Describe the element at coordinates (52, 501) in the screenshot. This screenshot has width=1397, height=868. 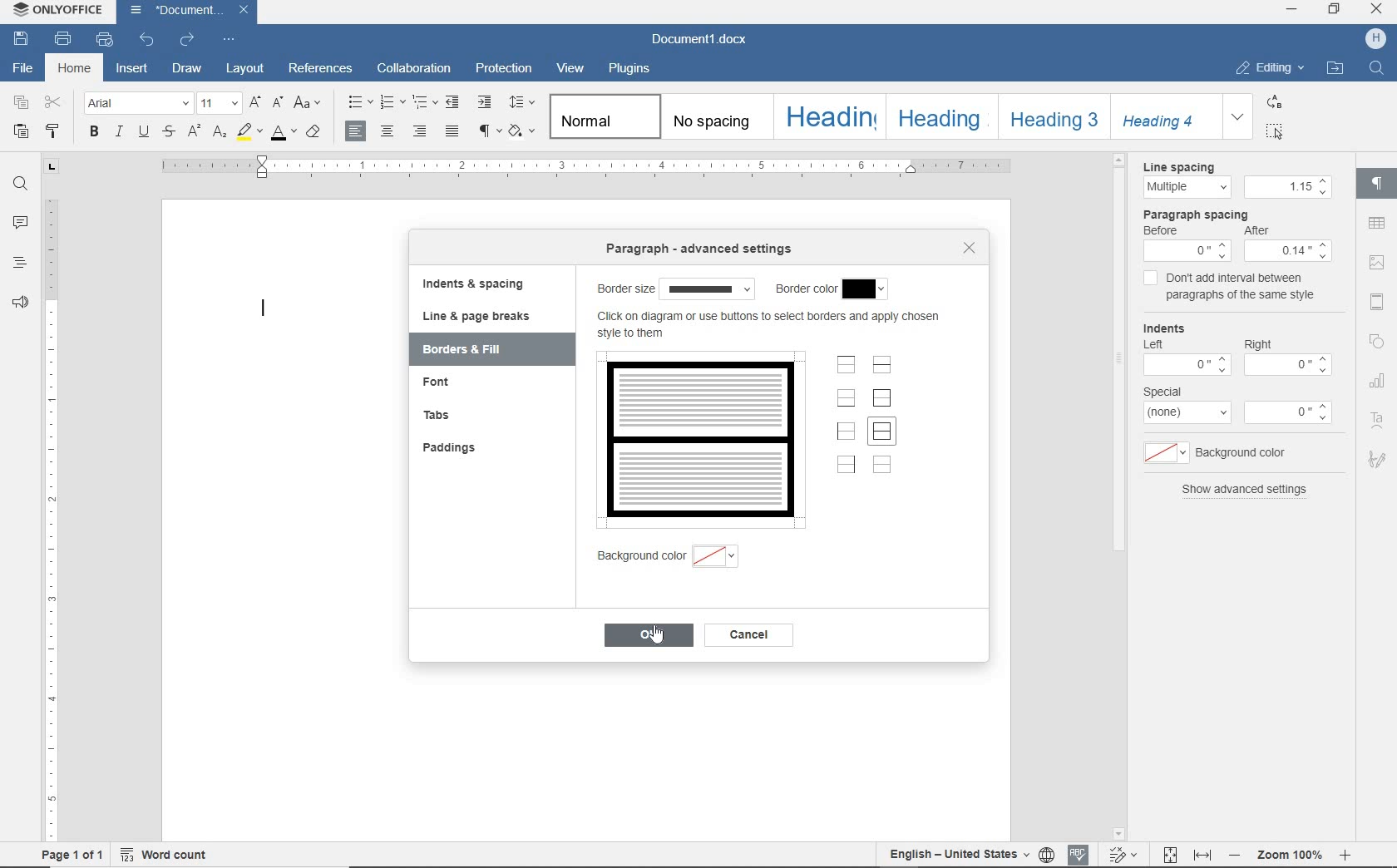
I see `ruler` at that location.